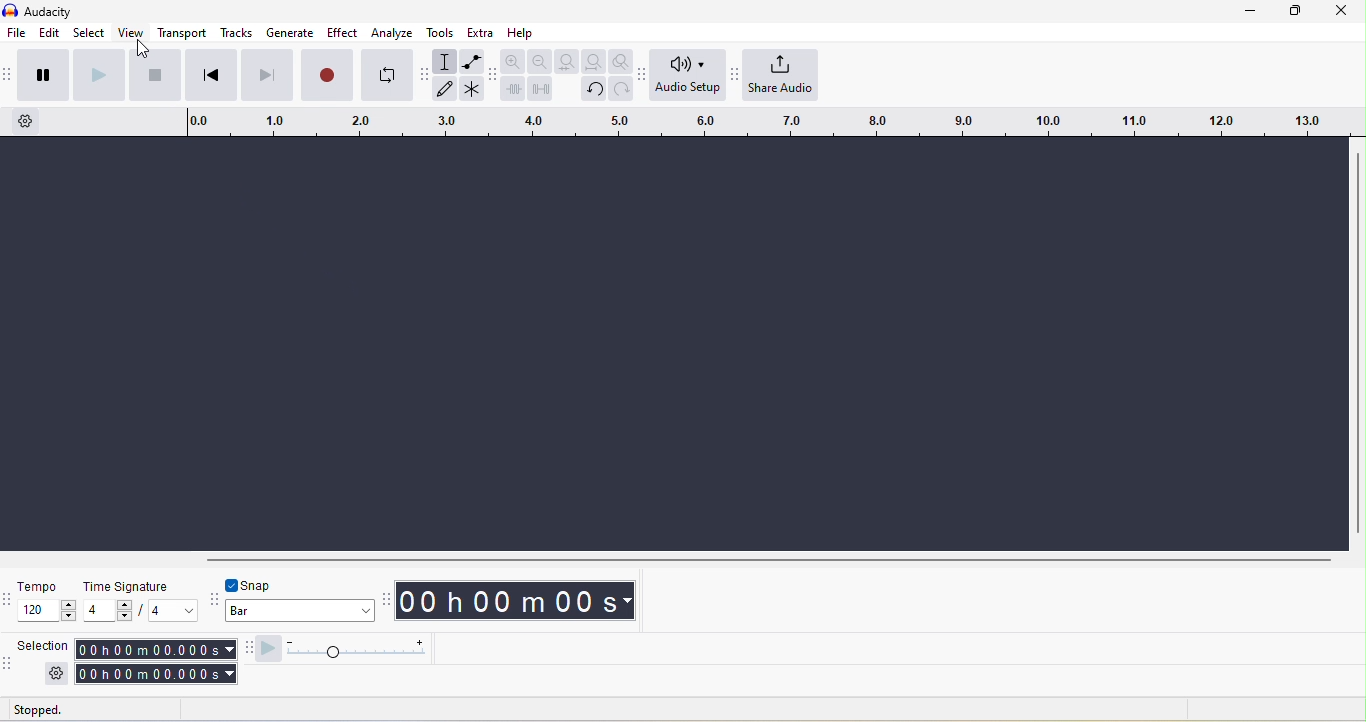 Image resolution: width=1366 pixels, height=722 pixels. I want to click on maximize, so click(1295, 11).